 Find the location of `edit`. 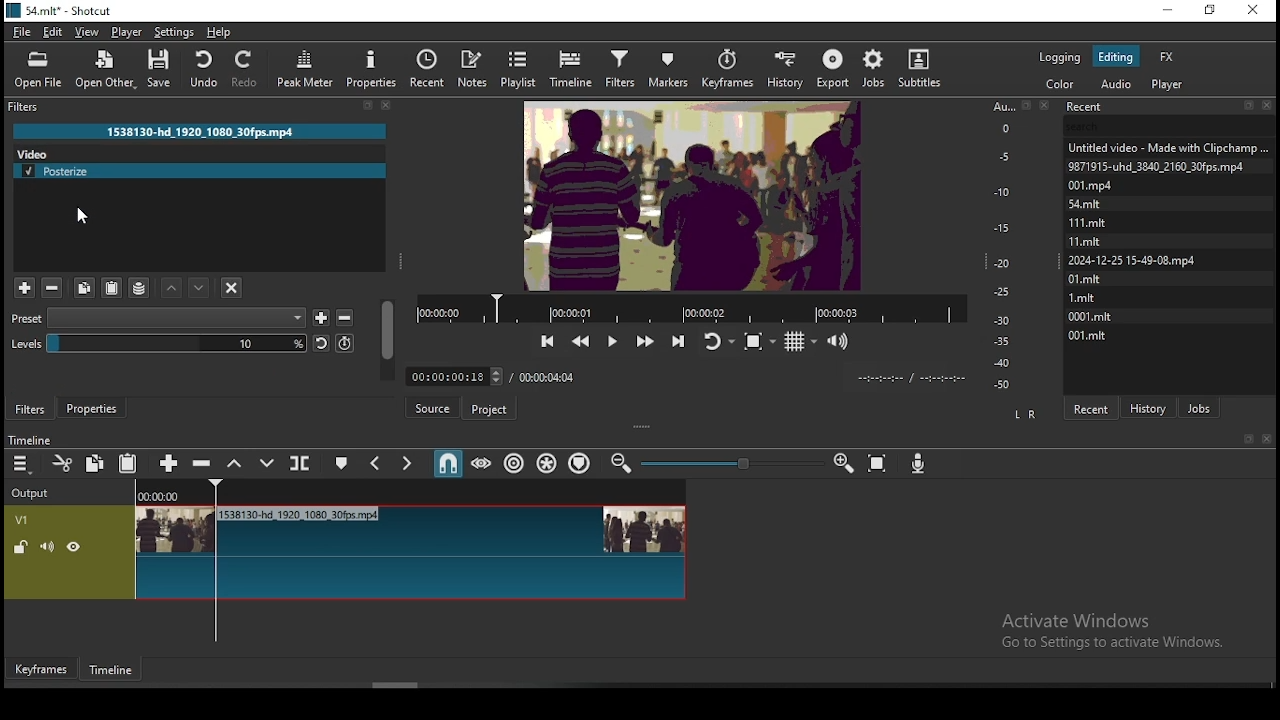

edit is located at coordinates (51, 31).